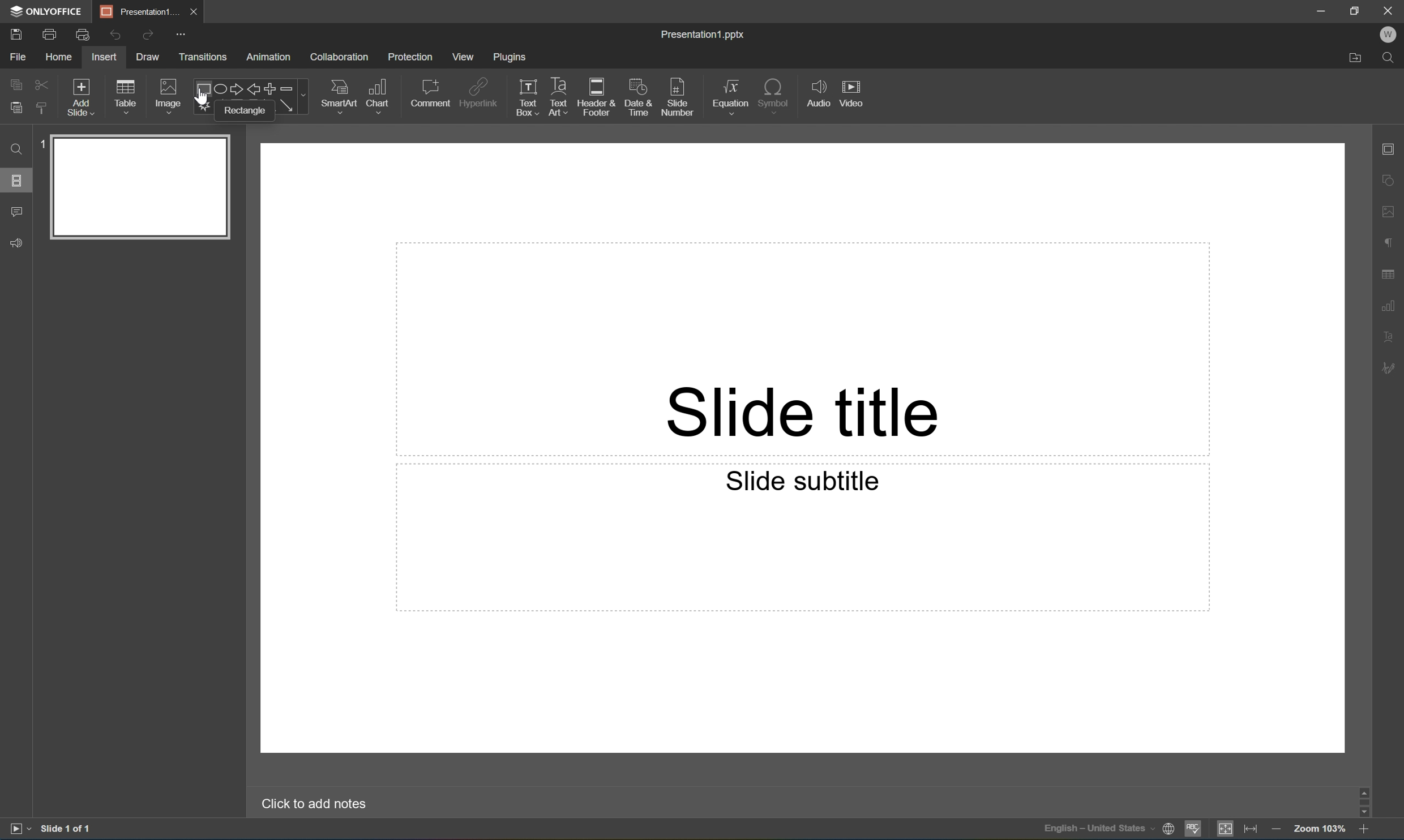  Describe the element at coordinates (808, 482) in the screenshot. I see `Slide subtitle` at that location.